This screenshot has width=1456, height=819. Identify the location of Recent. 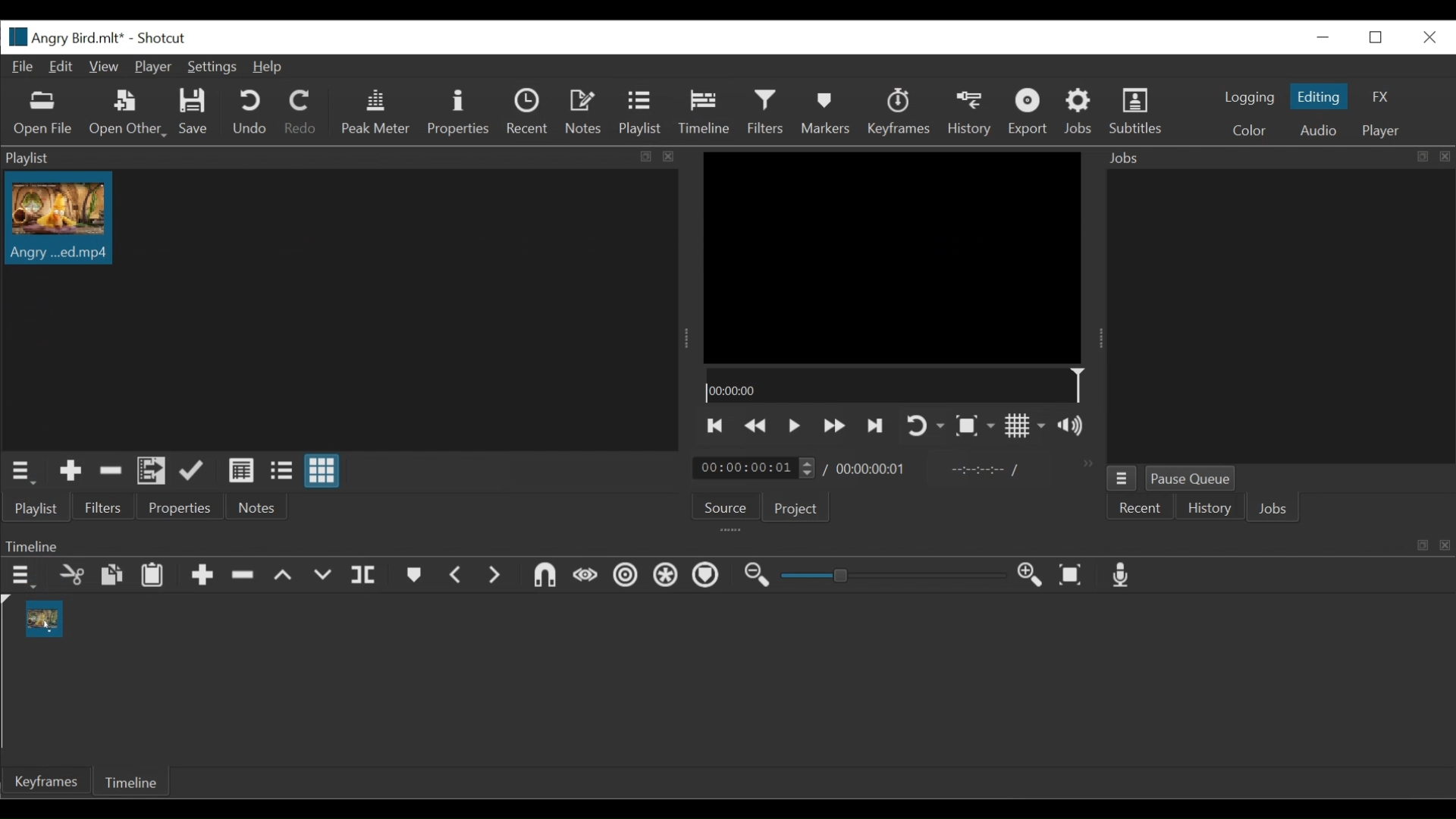
(529, 112).